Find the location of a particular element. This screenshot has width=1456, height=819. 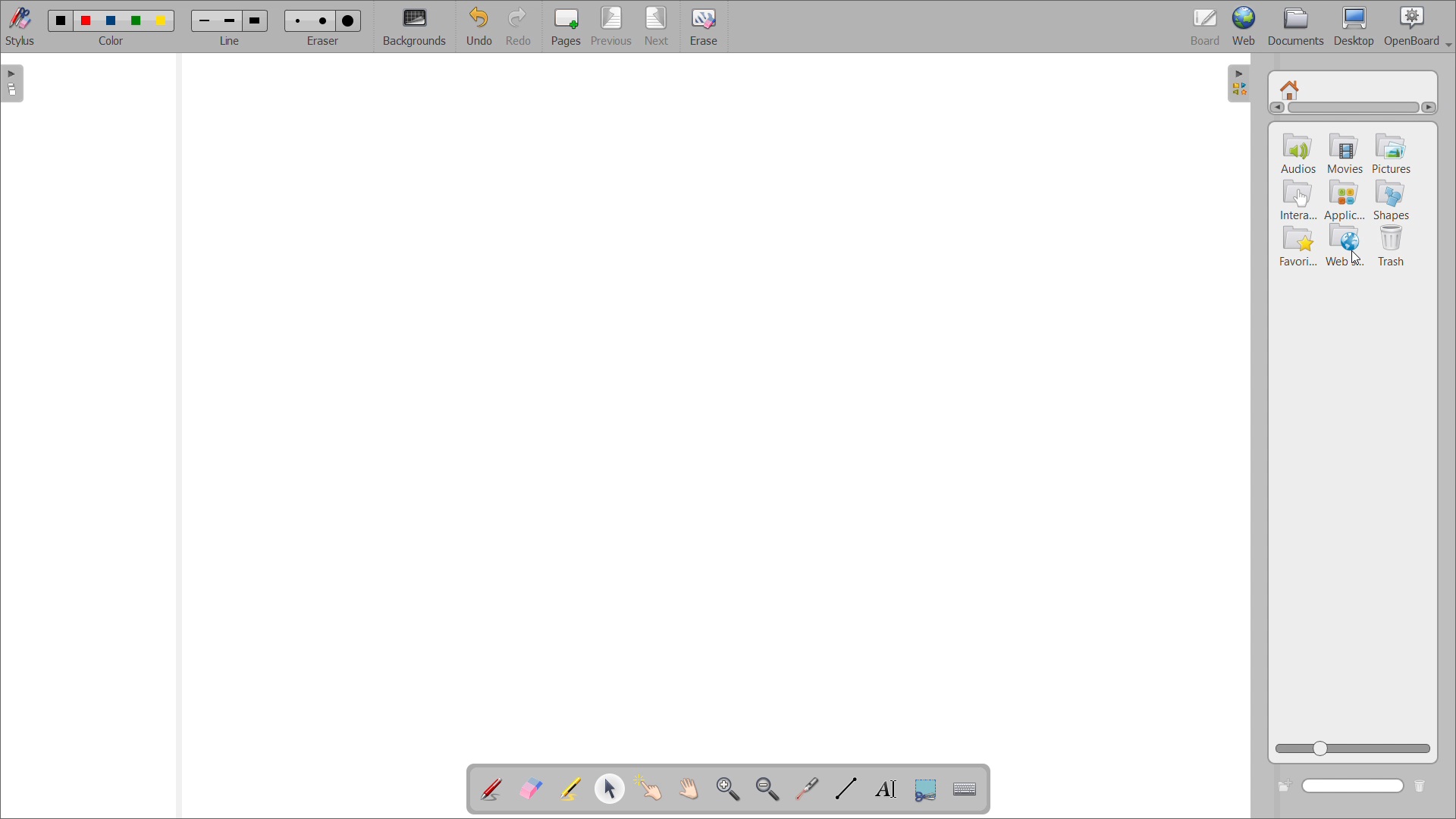

highlighter is located at coordinates (570, 789).